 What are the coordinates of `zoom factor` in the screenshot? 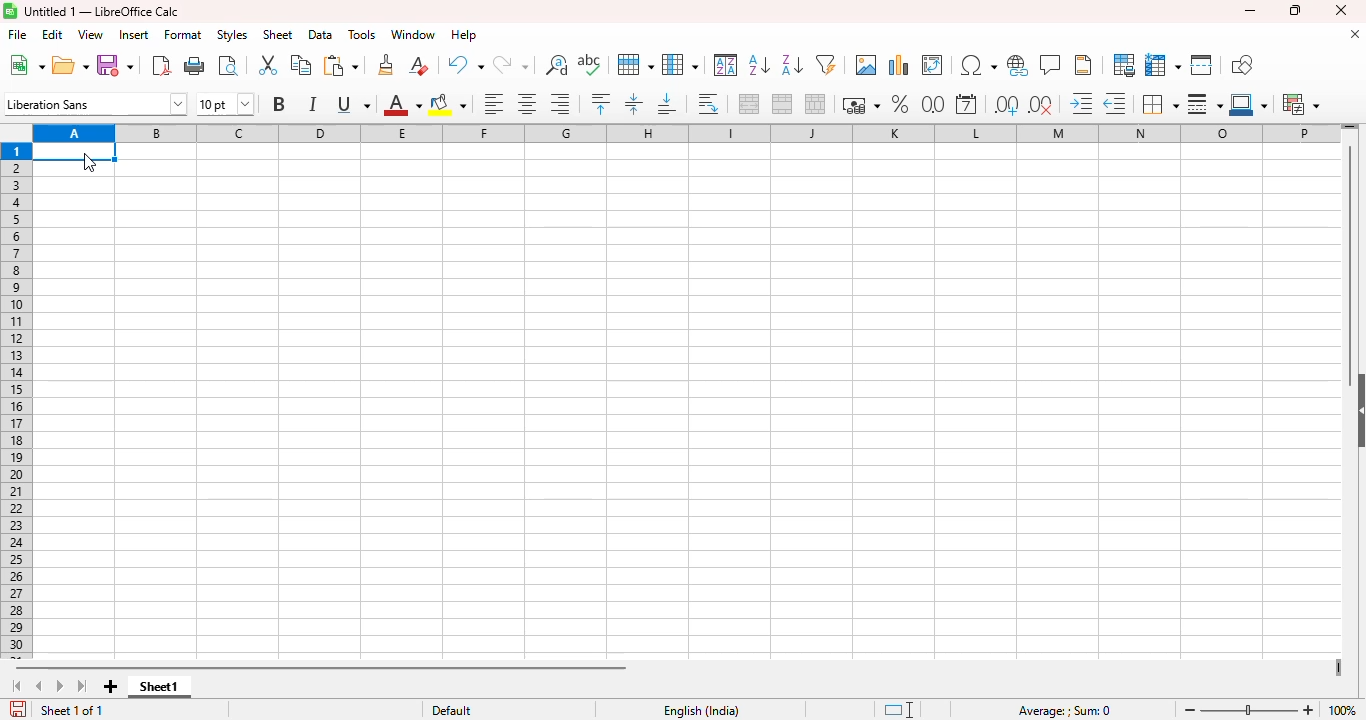 It's located at (1342, 711).